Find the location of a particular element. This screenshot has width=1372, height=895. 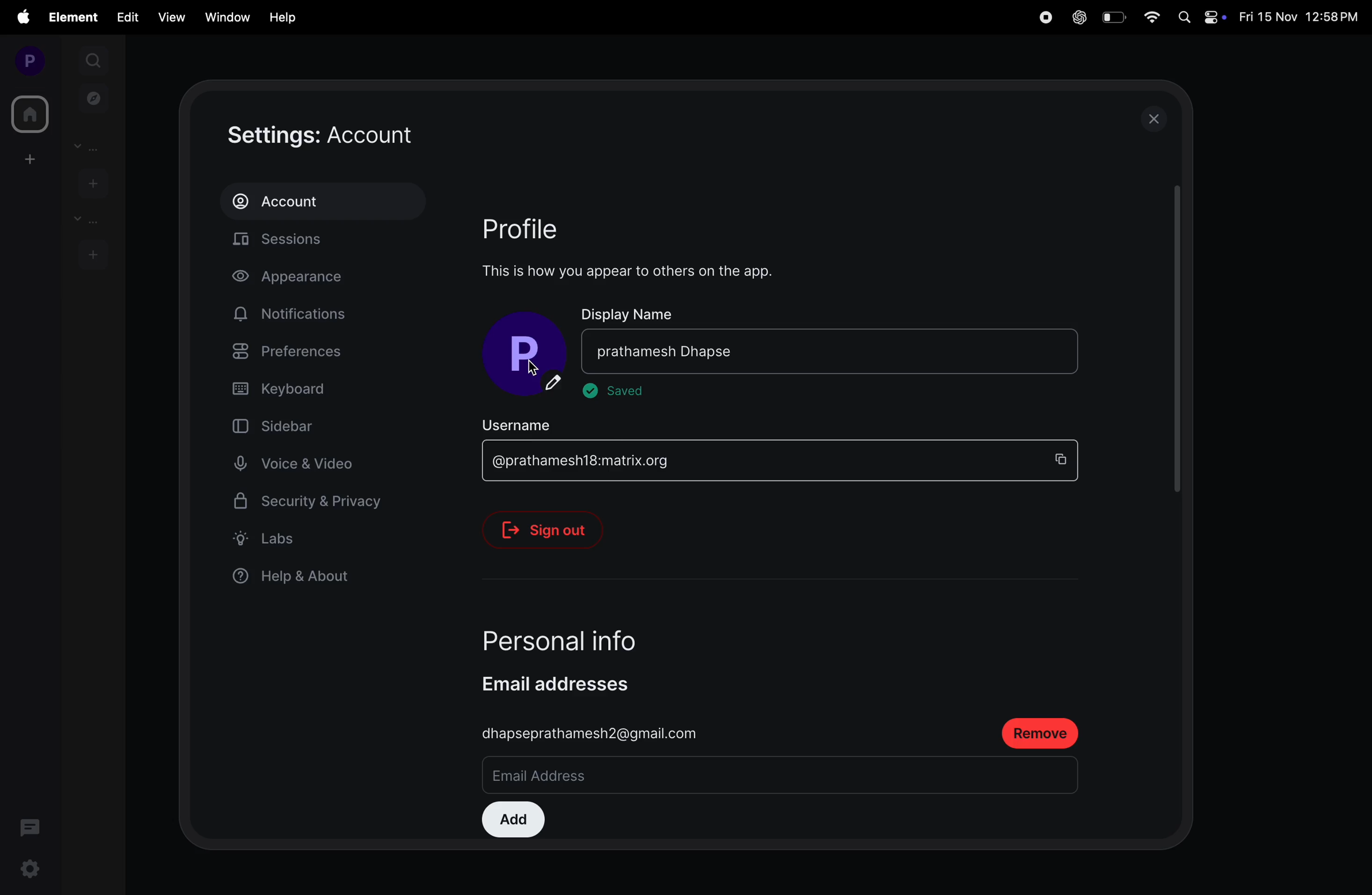

email address bar is located at coordinates (642, 773).